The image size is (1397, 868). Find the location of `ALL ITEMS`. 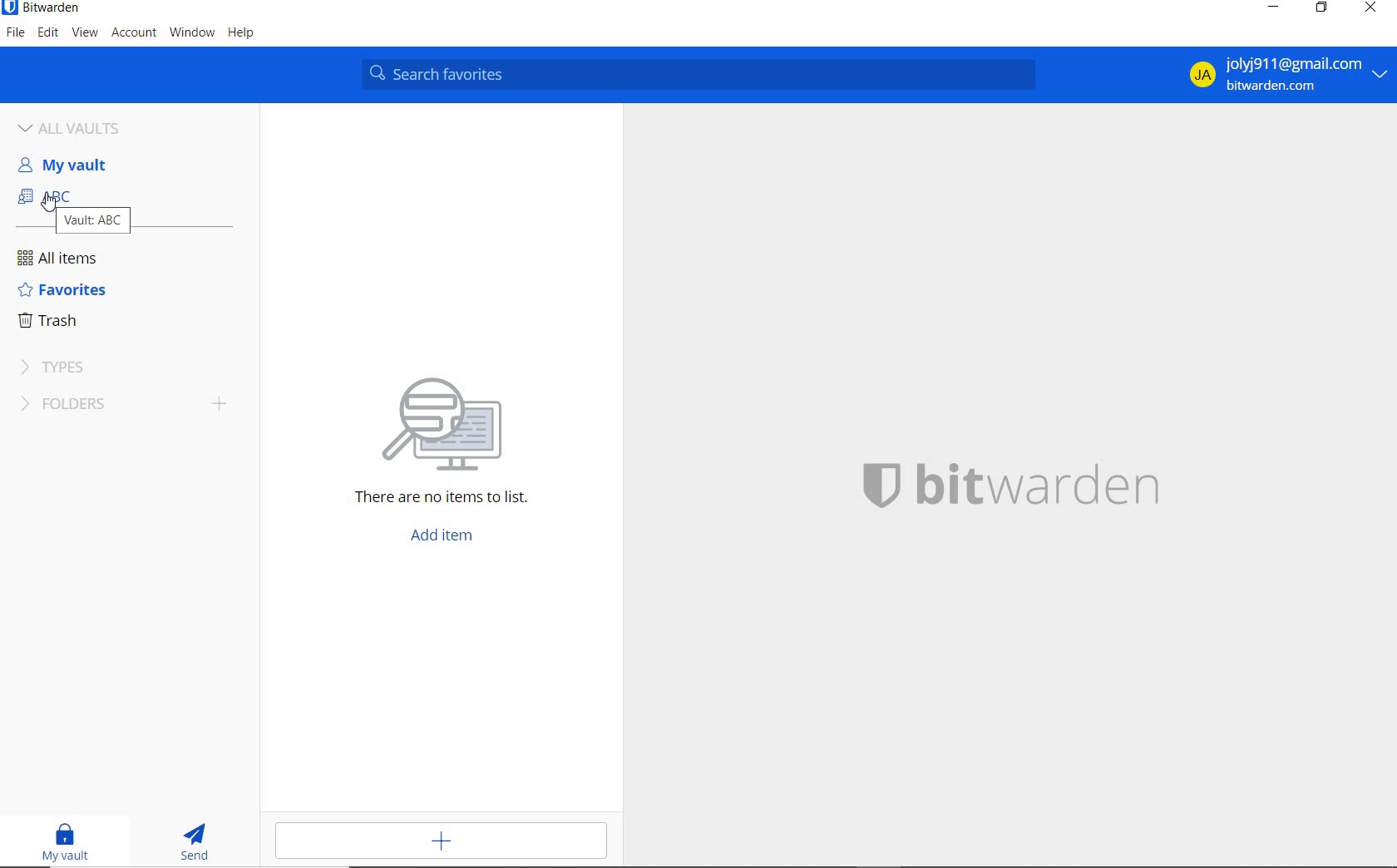

ALL ITEMS is located at coordinates (64, 258).